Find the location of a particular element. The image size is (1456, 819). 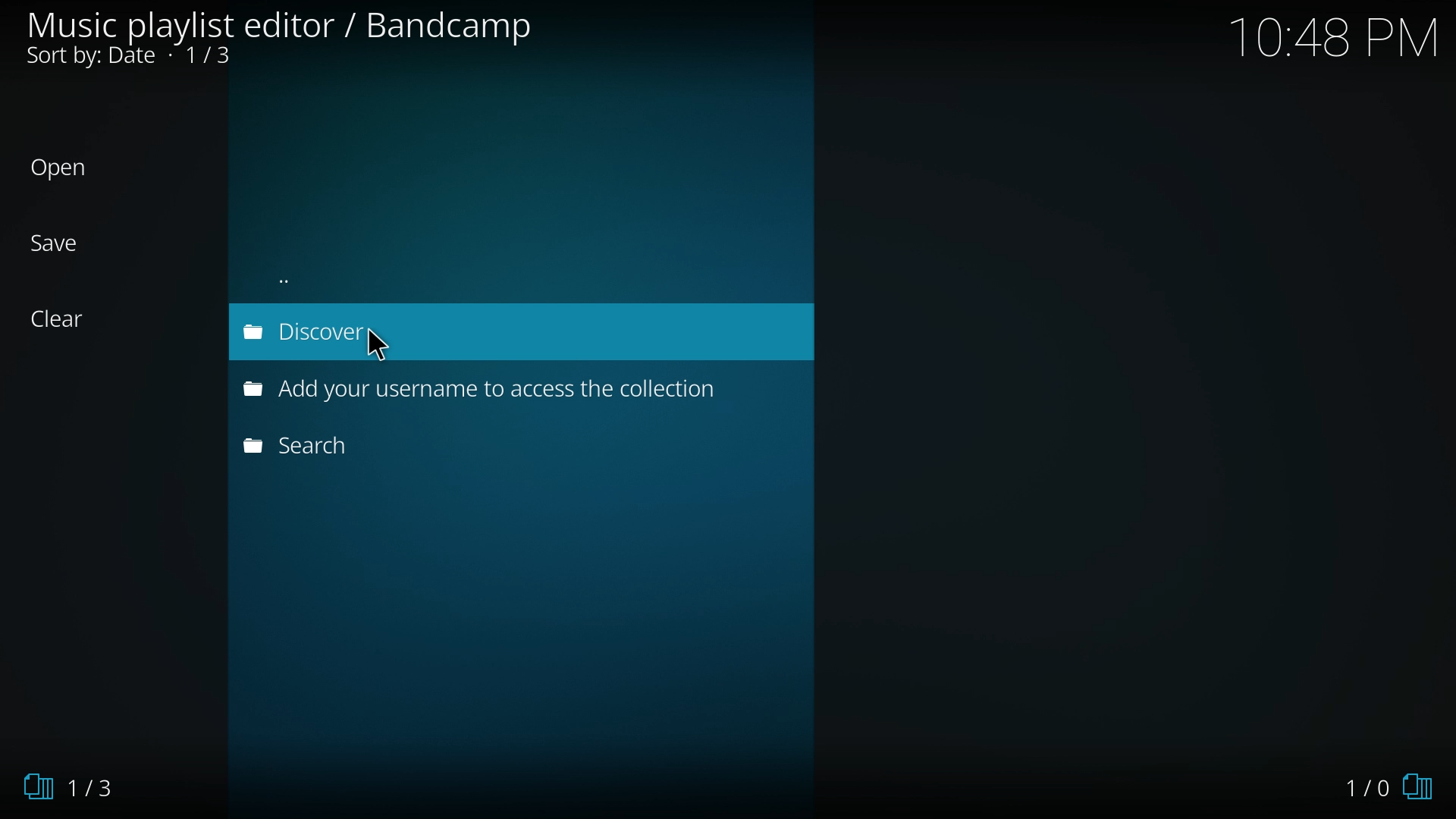

1/3 is located at coordinates (80, 787).